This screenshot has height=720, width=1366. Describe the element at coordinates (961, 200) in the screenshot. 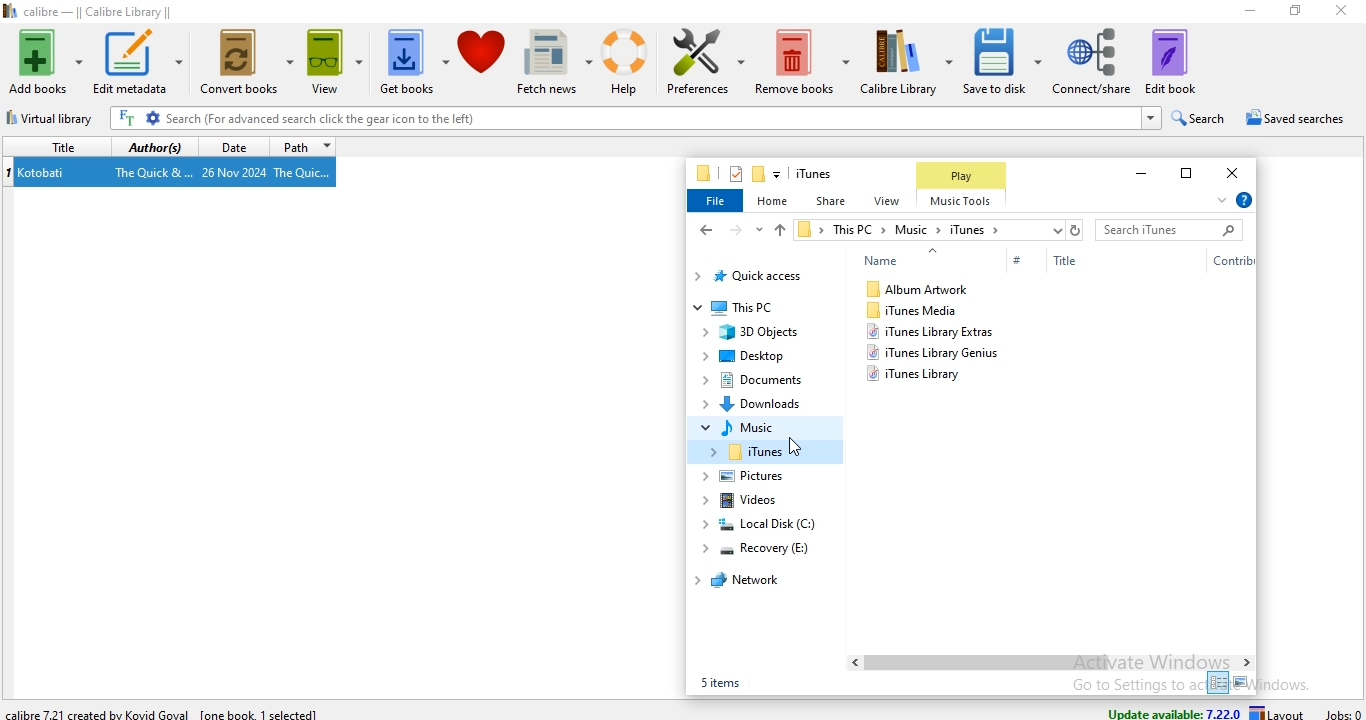

I see `Music Tools` at that location.